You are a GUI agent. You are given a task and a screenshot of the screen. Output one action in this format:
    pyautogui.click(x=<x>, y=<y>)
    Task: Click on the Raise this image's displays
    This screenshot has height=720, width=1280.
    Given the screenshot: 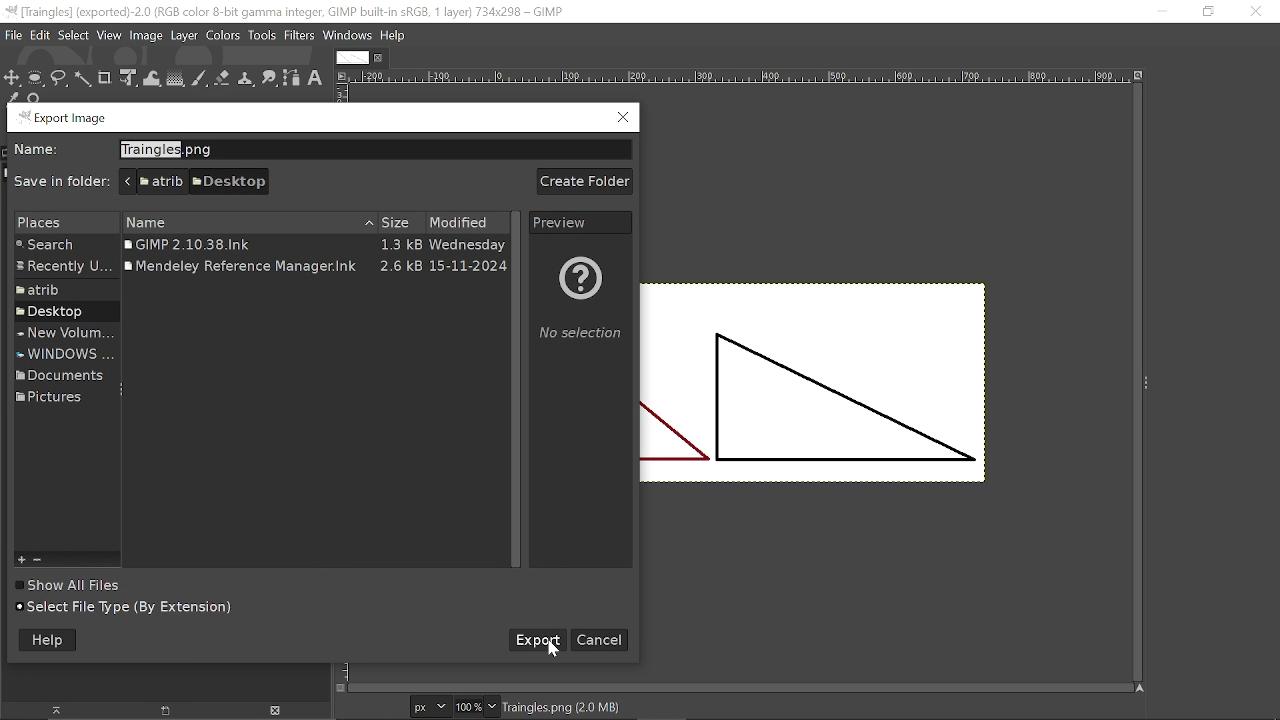 What is the action you would take?
    pyautogui.click(x=57, y=710)
    